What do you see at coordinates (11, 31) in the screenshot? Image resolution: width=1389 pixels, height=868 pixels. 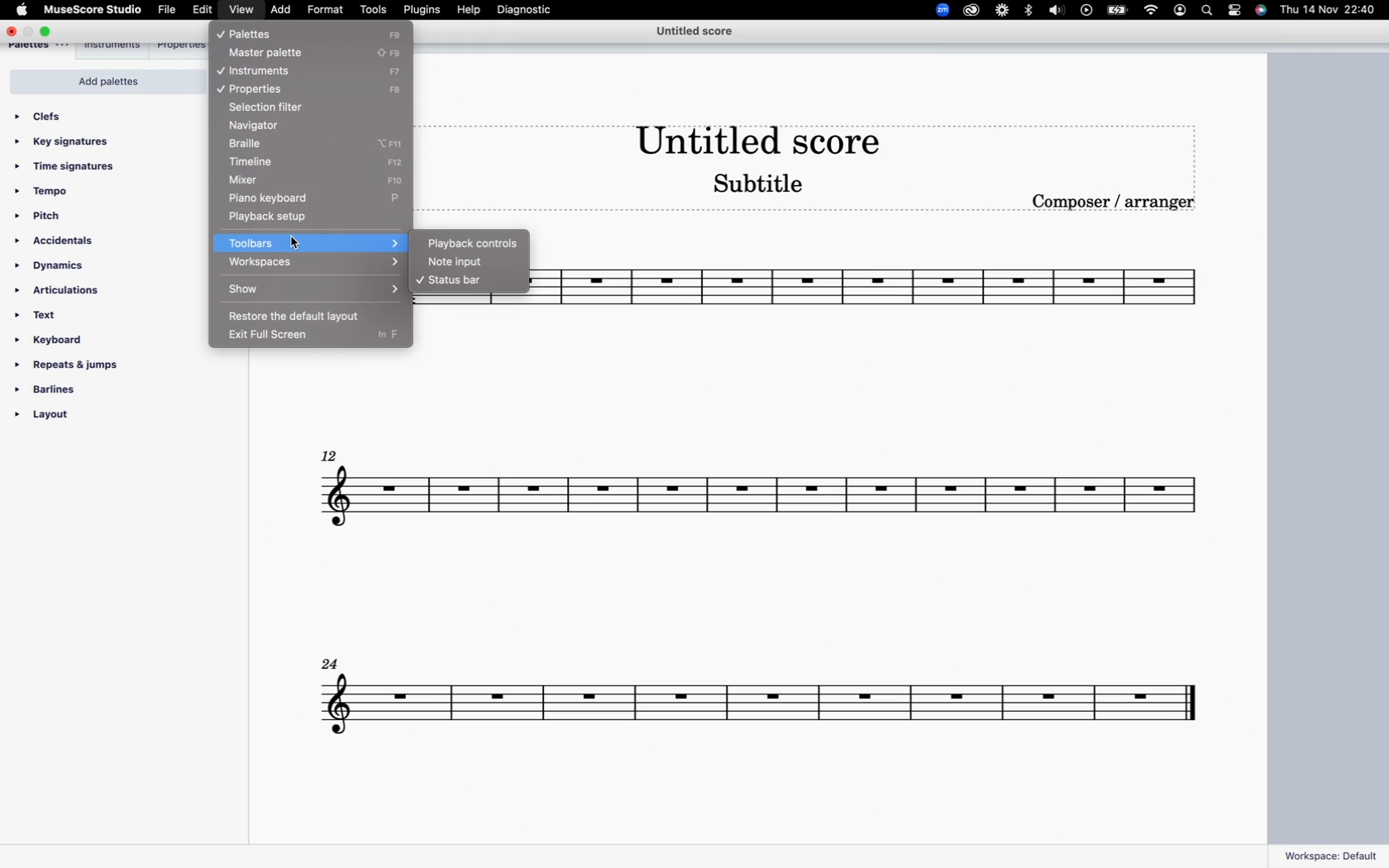 I see `close` at bounding box center [11, 31].